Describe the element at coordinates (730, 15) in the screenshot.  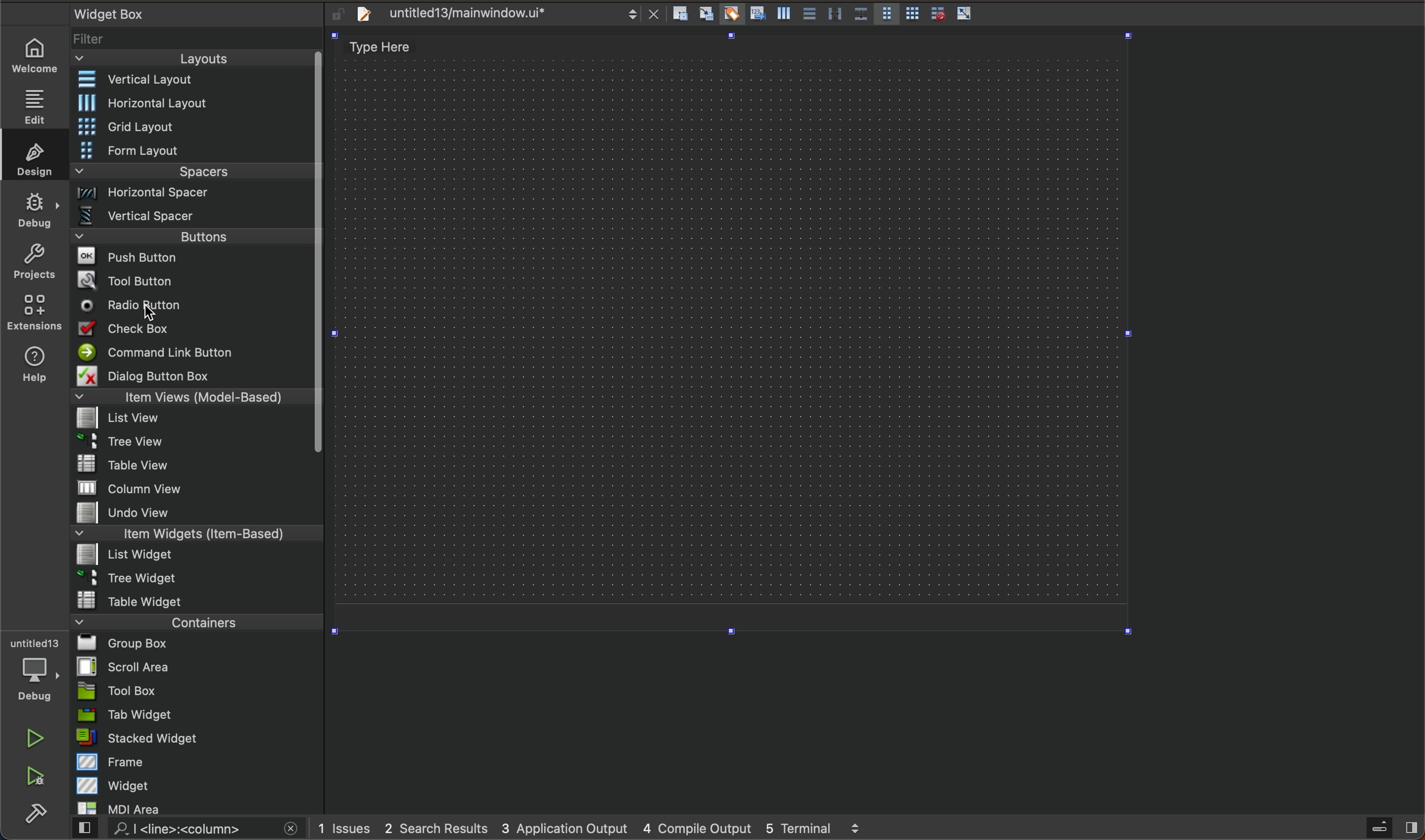
I see `` at that location.